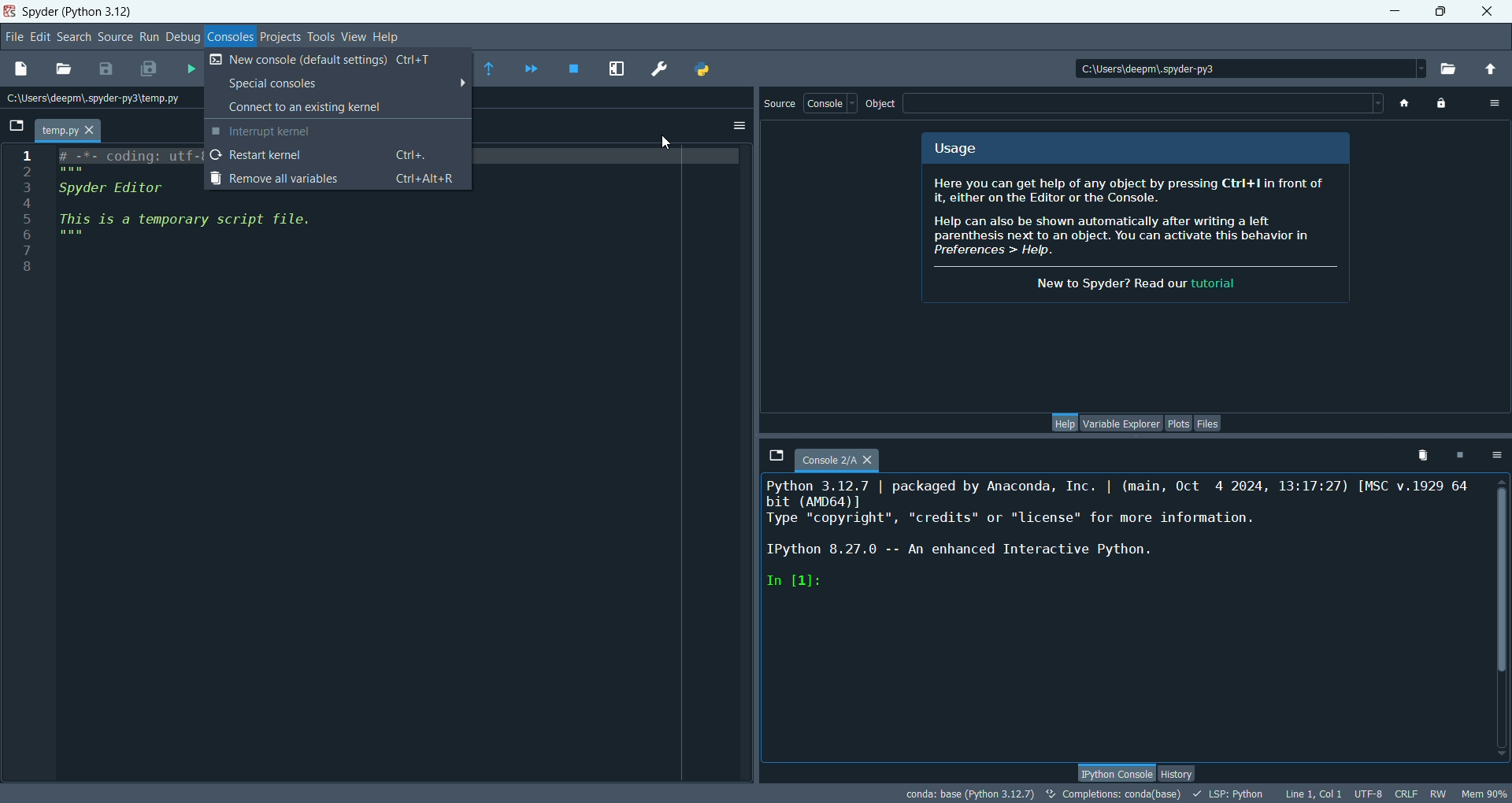 The height and width of the screenshot is (803, 1512). What do you see at coordinates (1179, 424) in the screenshot?
I see `plots` at bounding box center [1179, 424].